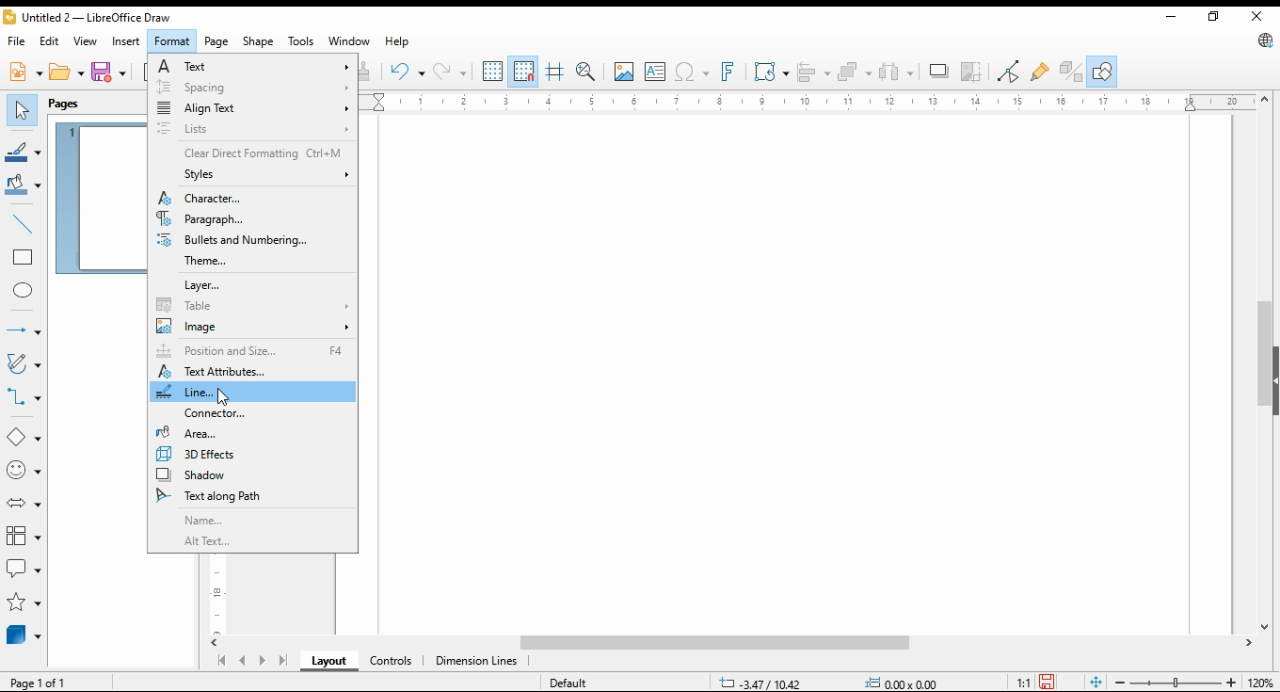 The image size is (1280, 692). What do you see at coordinates (567, 682) in the screenshot?
I see `default` at bounding box center [567, 682].